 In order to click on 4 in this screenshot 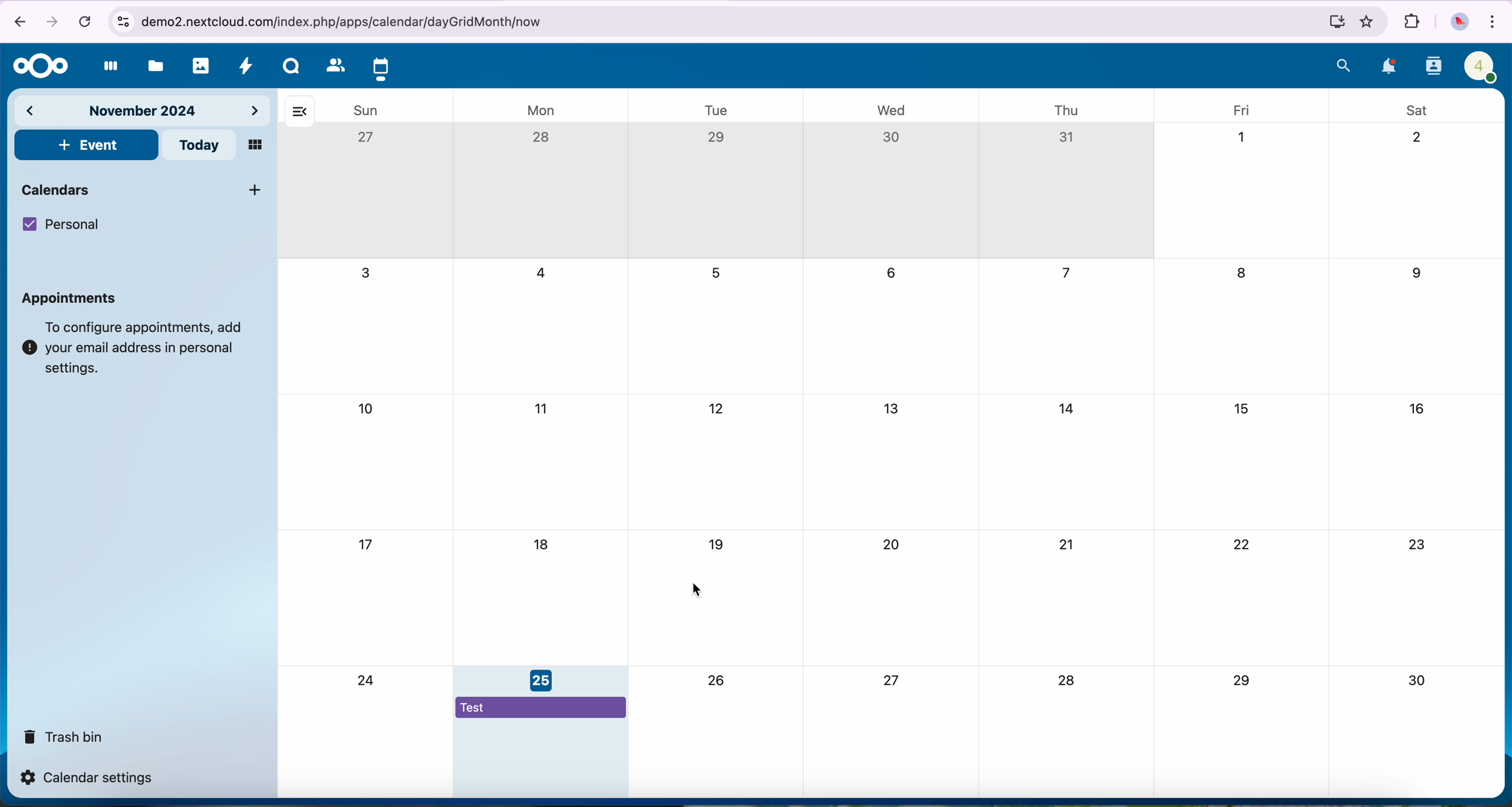, I will do `click(545, 273)`.